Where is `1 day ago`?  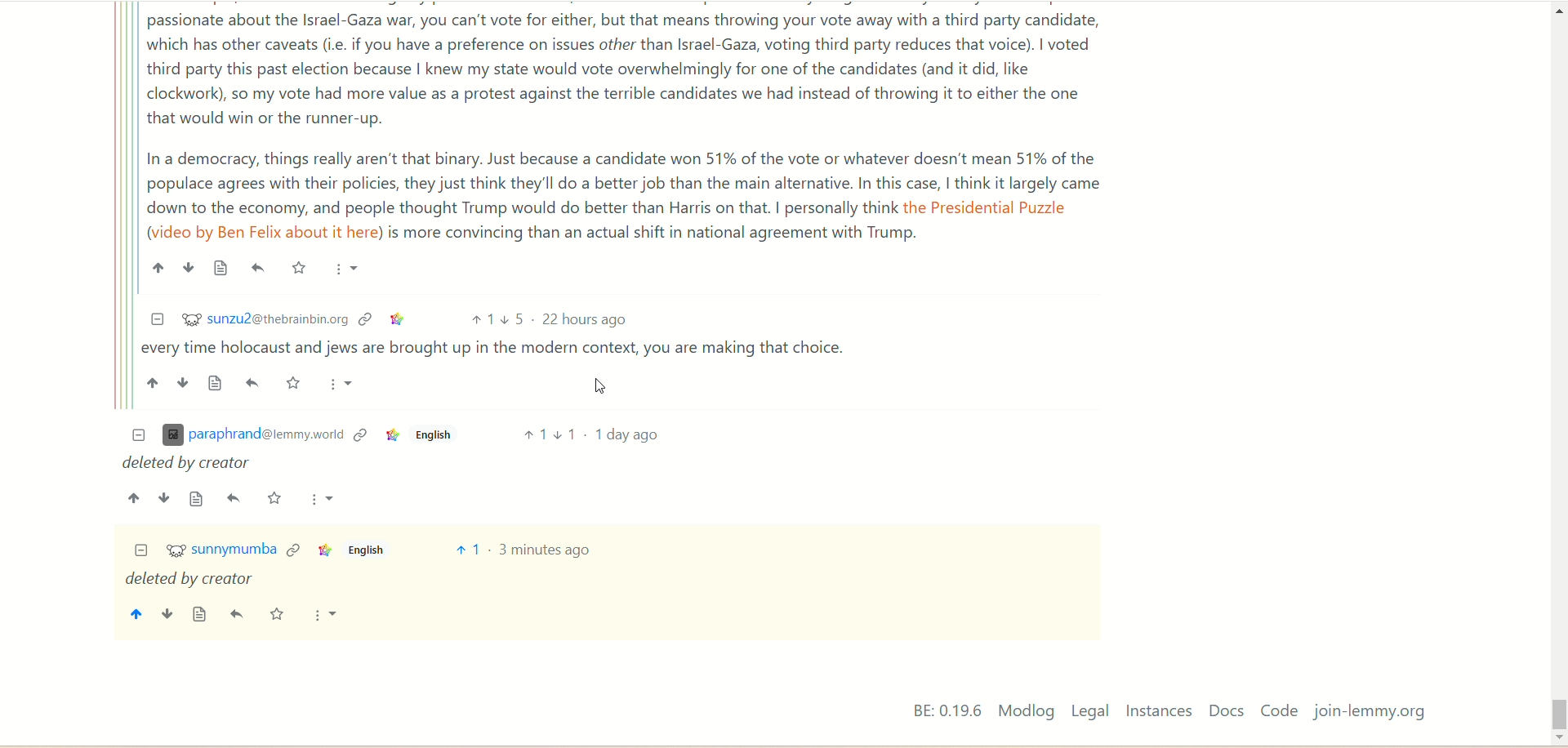 1 day ago is located at coordinates (627, 434).